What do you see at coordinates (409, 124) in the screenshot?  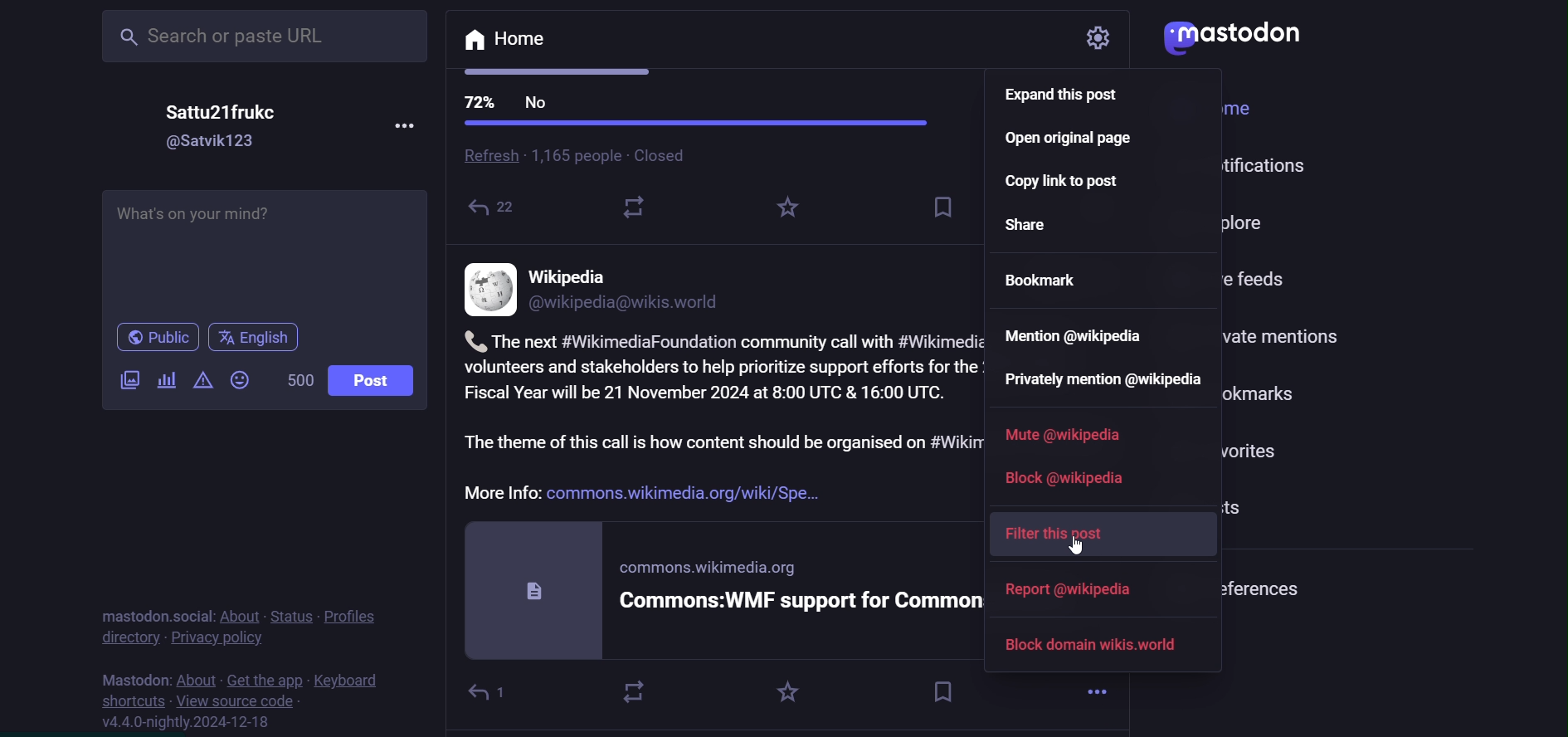 I see `more` at bounding box center [409, 124].